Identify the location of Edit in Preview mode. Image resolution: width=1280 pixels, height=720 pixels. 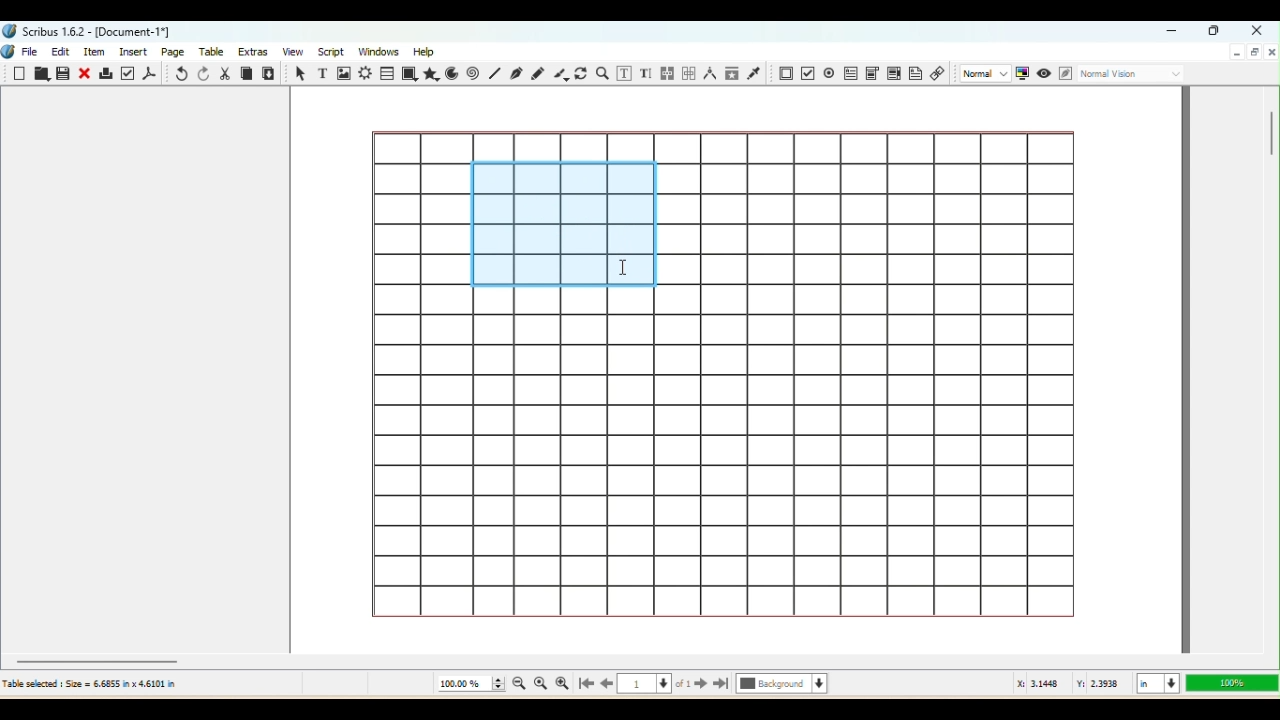
(1064, 74).